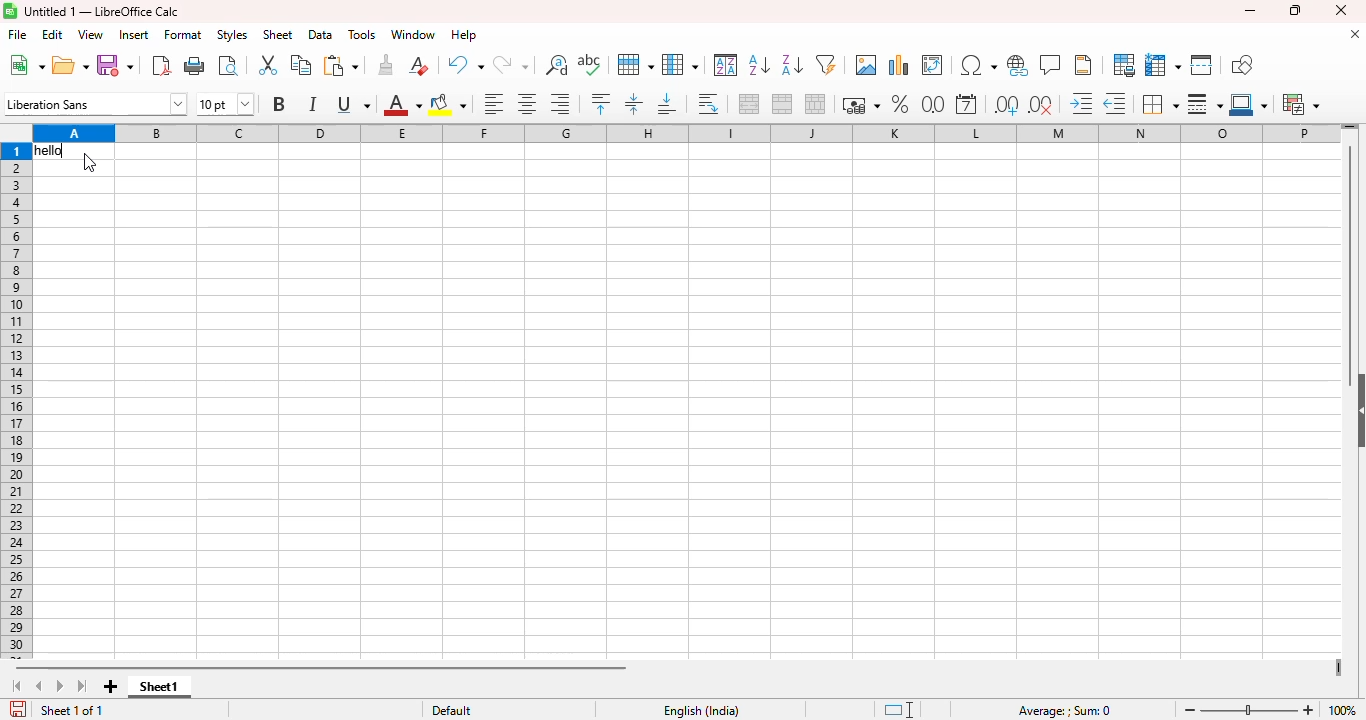  Describe the element at coordinates (18, 686) in the screenshot. I see `scroll to first sheet` at that location.